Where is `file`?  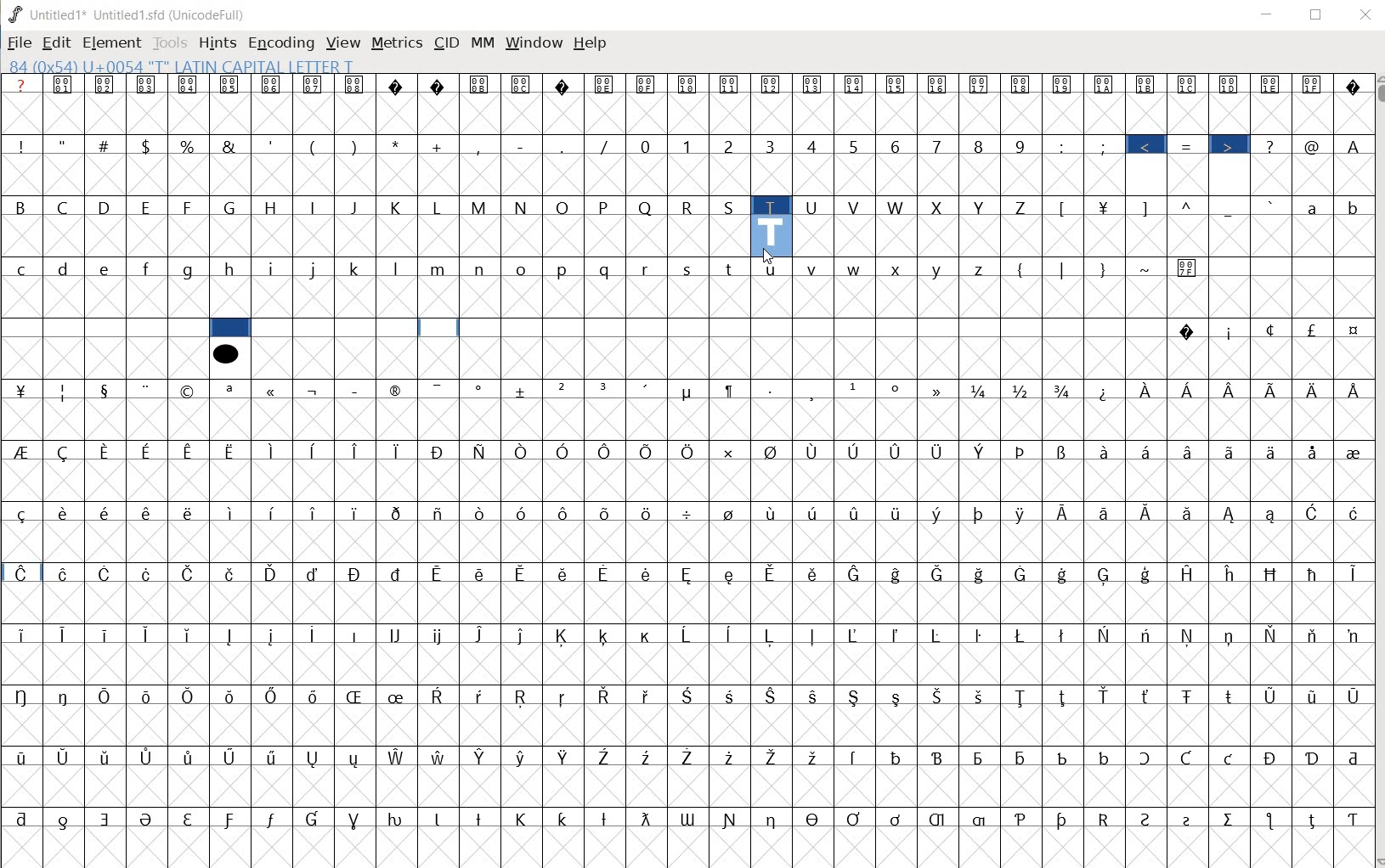 file is located at coordinates (20, 44).